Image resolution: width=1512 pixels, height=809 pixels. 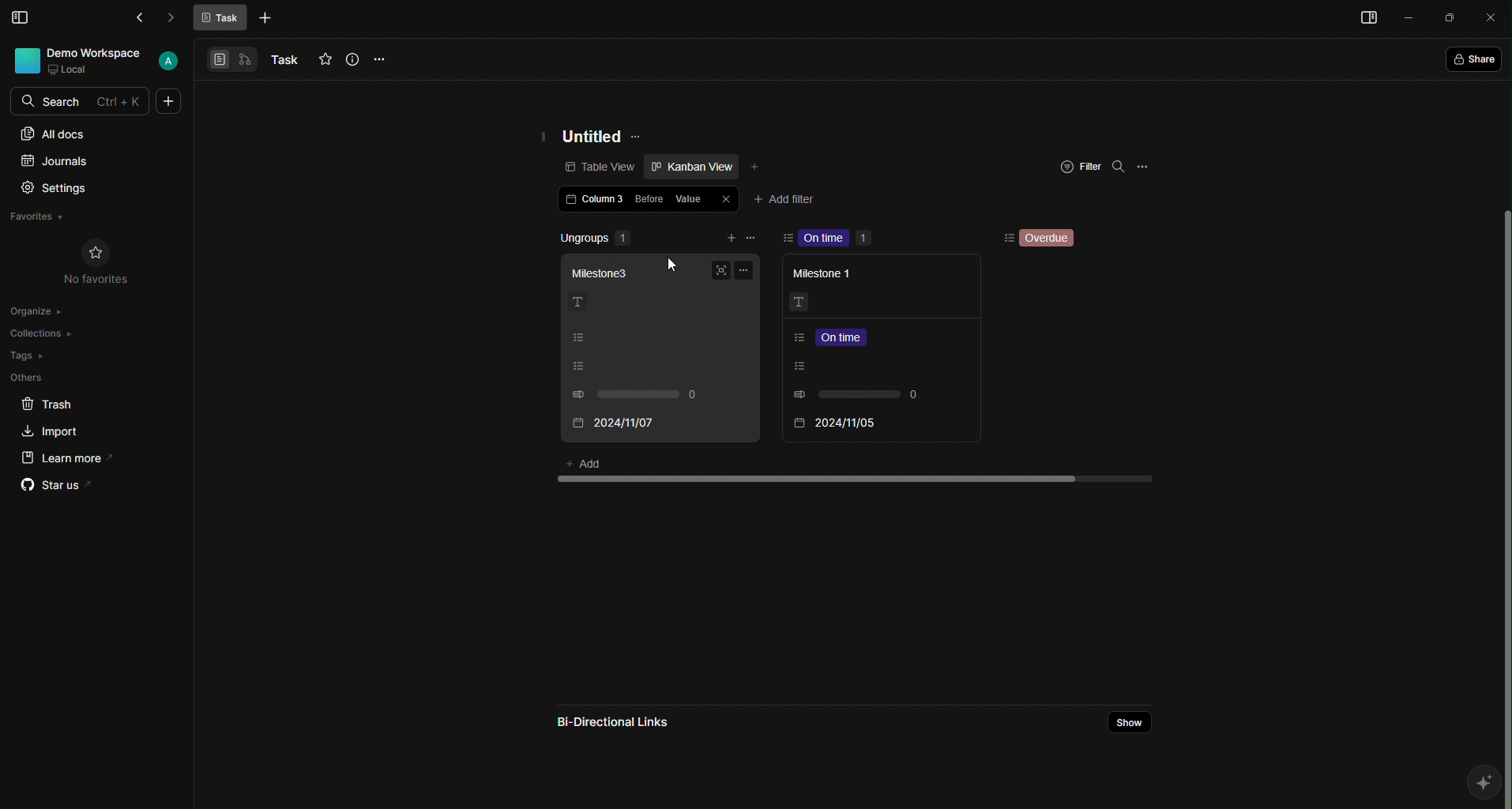 What do you see at coordinates (633, 397) in the screenshot?
I see `0` at bounding box center [633, 397].